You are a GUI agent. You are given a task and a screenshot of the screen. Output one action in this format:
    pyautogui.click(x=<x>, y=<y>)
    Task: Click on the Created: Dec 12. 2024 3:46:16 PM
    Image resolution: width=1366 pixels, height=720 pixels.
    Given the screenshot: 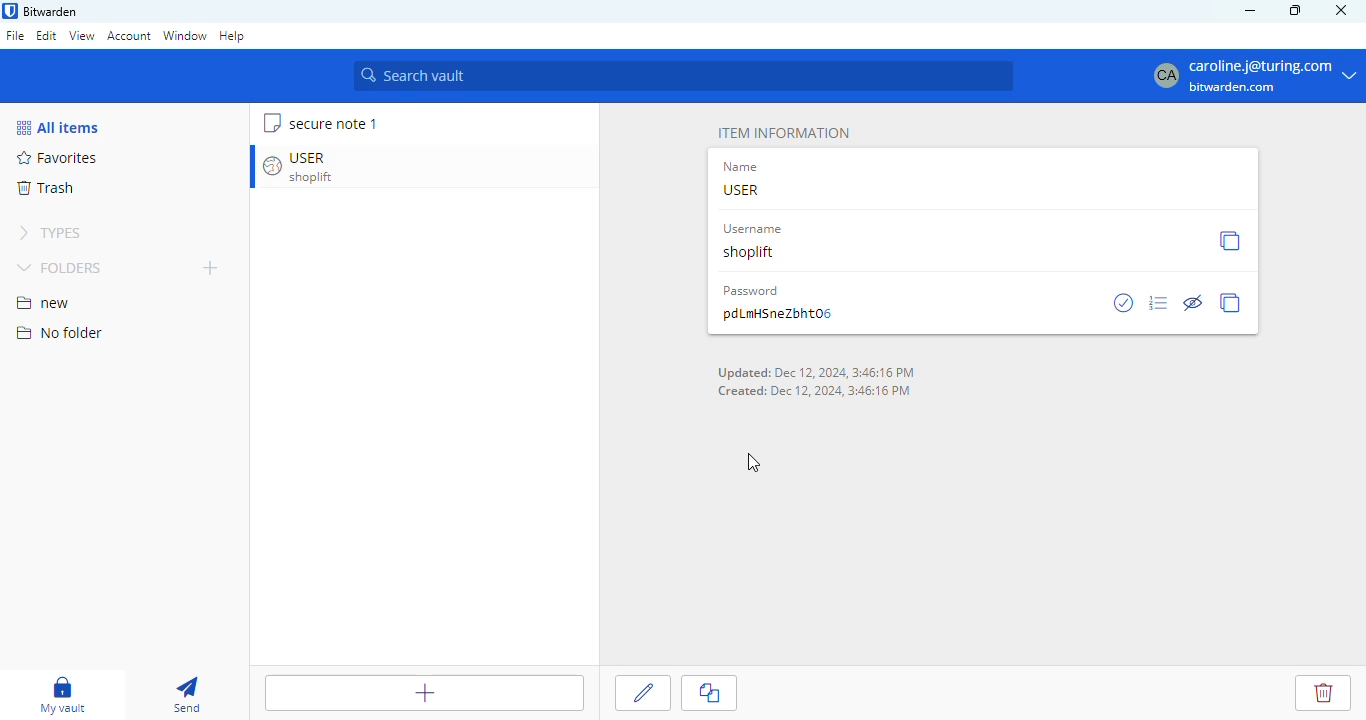 What is the action you would take?
    pyautogui.click(x=817, y=390)
    